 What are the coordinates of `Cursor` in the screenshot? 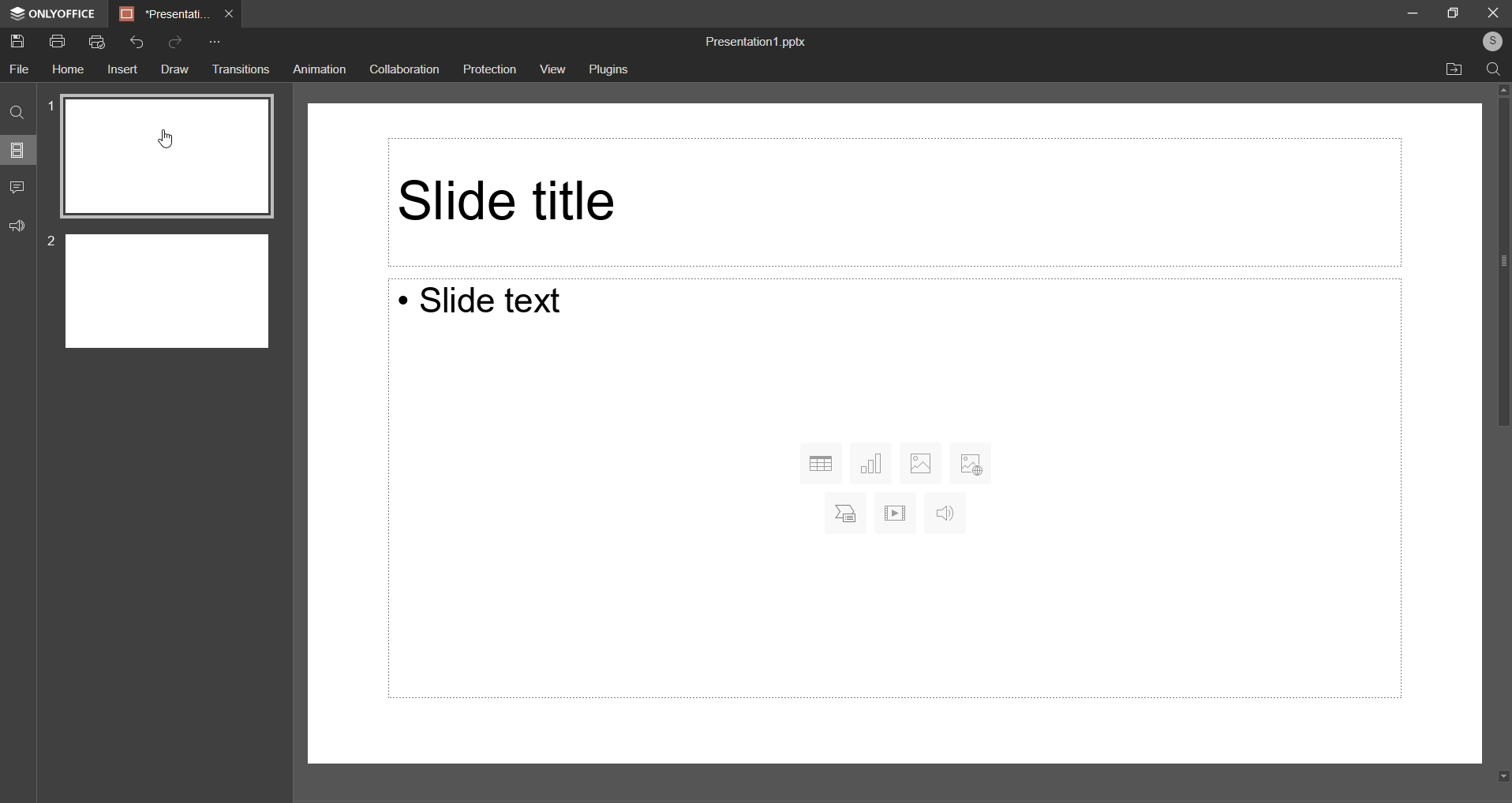 It's located at (163, 141).